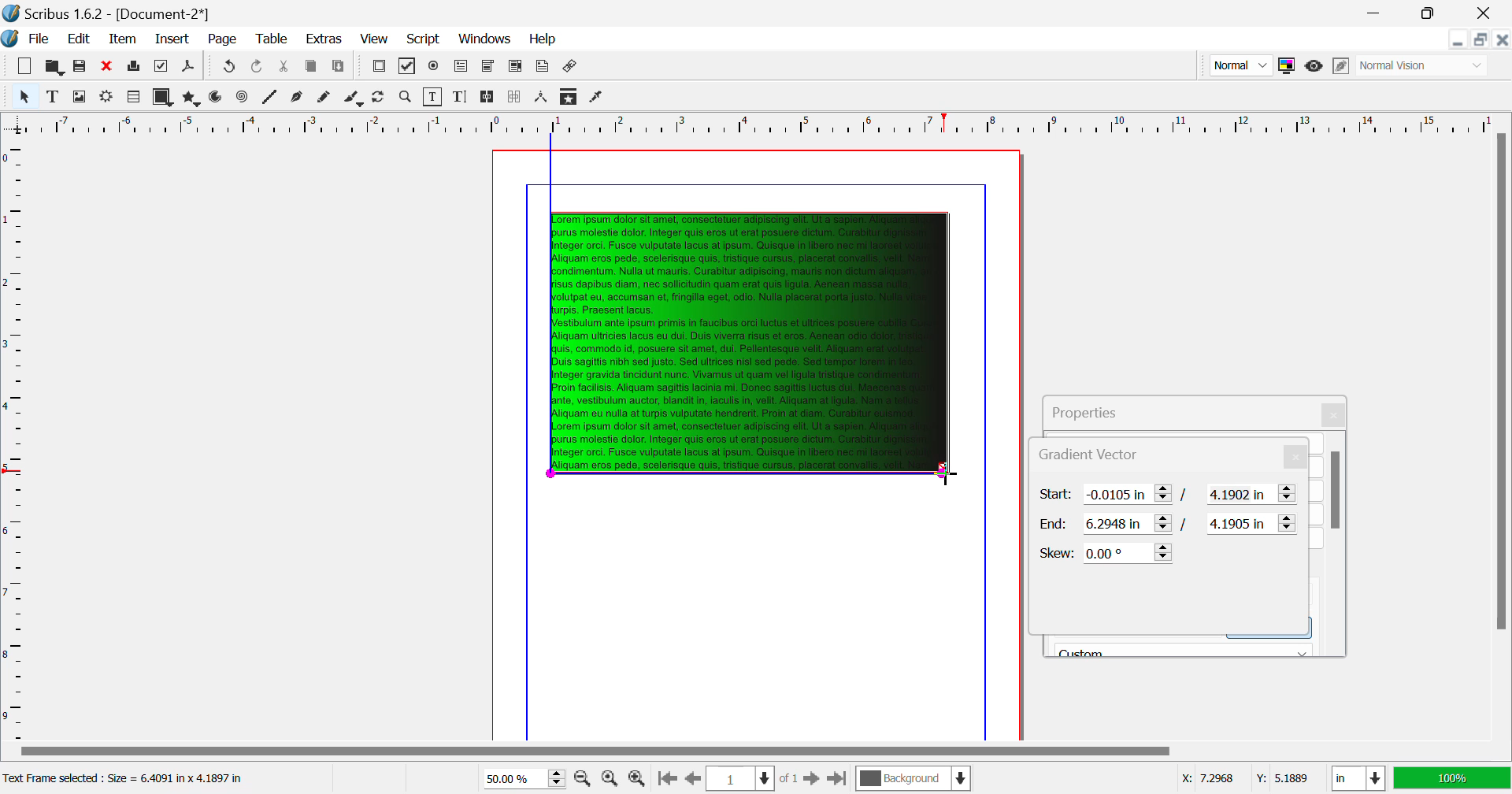 This screenshot has height=794, width=1512. What do you see at coordinates (106, 98) in the screenshot?
I see `Render Frame` at bounding box center [106, 98].